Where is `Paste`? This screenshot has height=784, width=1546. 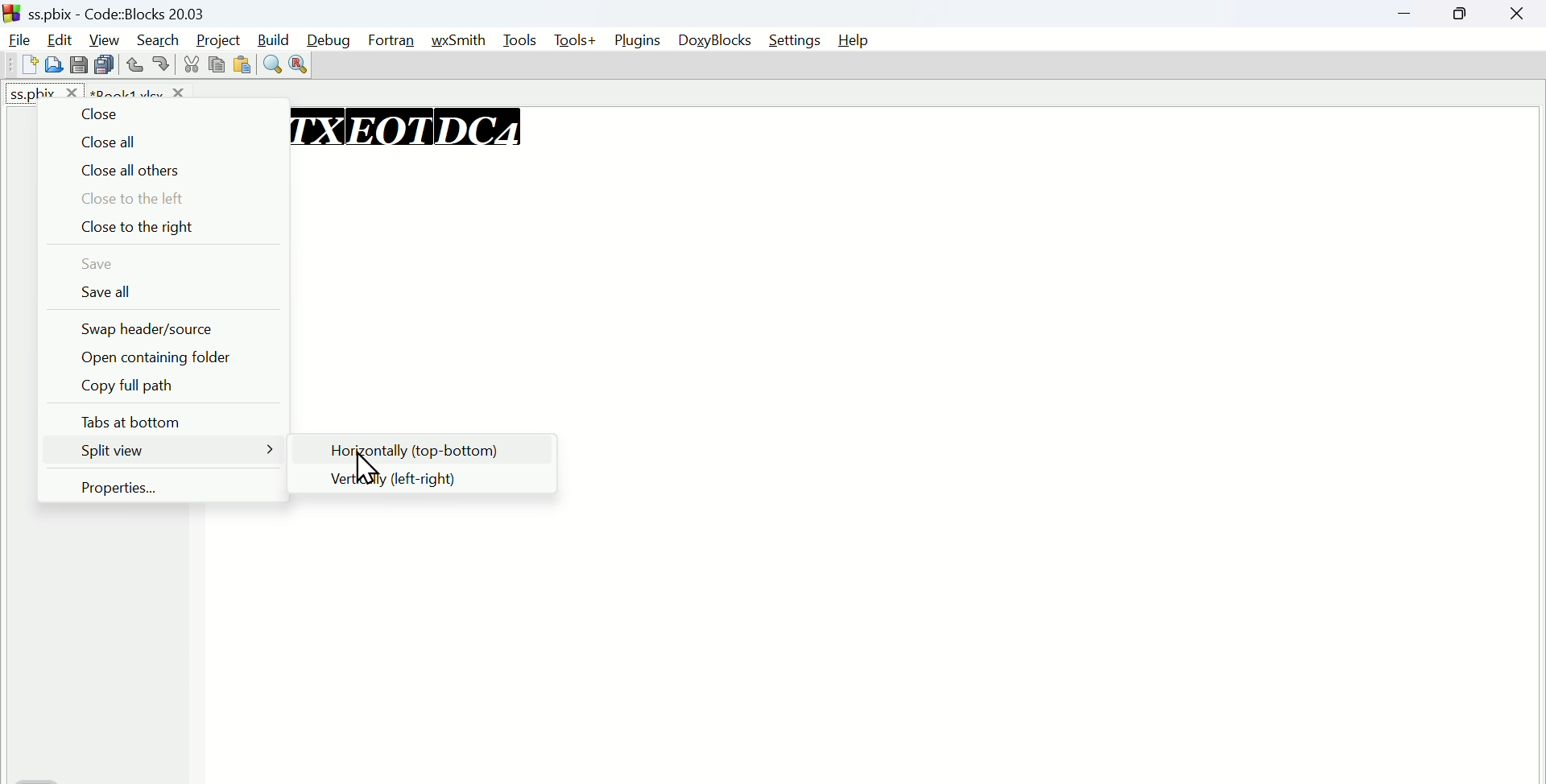
Paste is located at coordinates (241, 64).